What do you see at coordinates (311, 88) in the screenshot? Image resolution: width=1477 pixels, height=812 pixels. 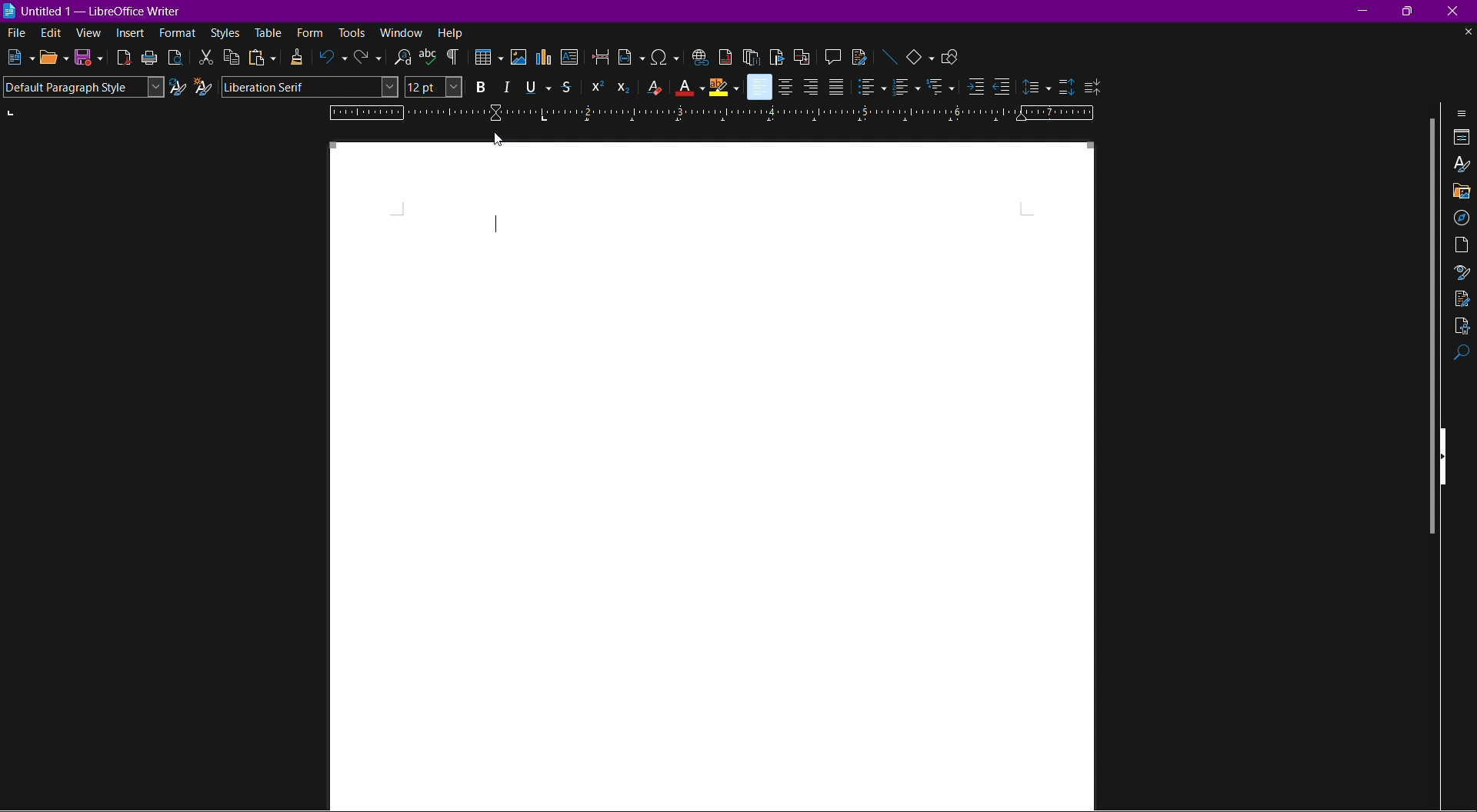 I see `Font` at bounding box center [311, 88].